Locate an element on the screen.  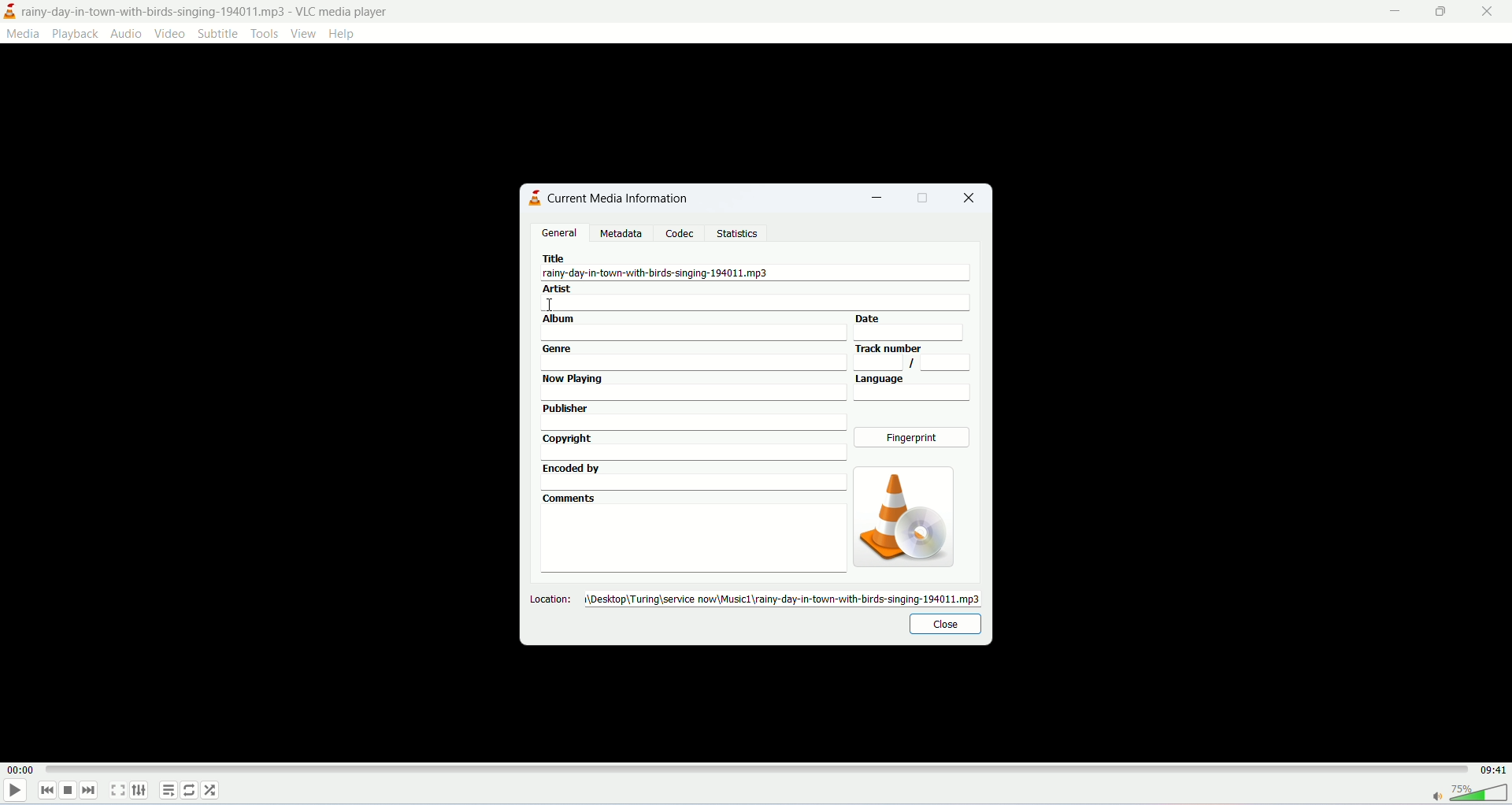
language is located at coordinates (914, 388).